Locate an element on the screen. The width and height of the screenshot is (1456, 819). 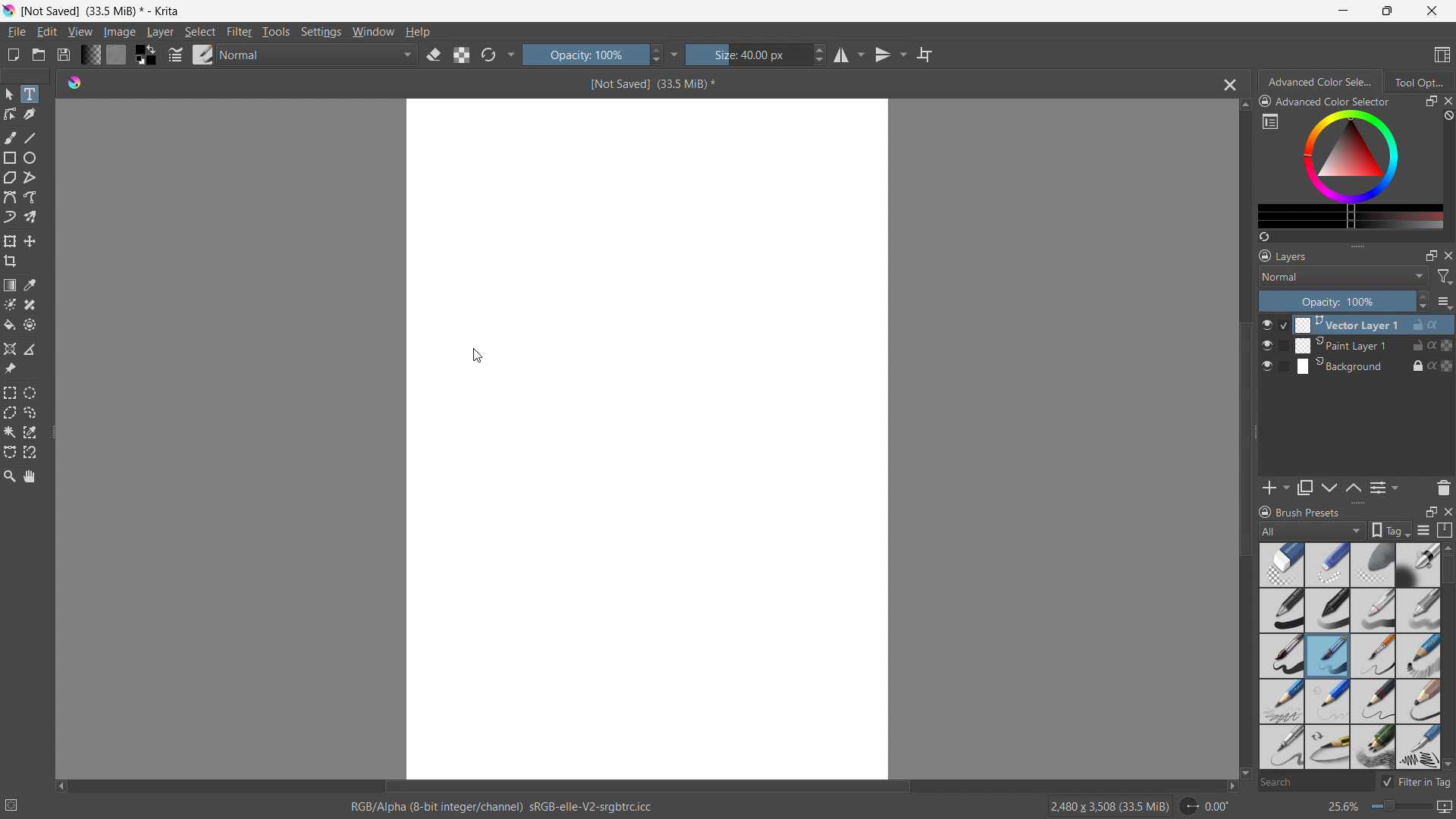
delete layer is located at coordinates (1443, 487).